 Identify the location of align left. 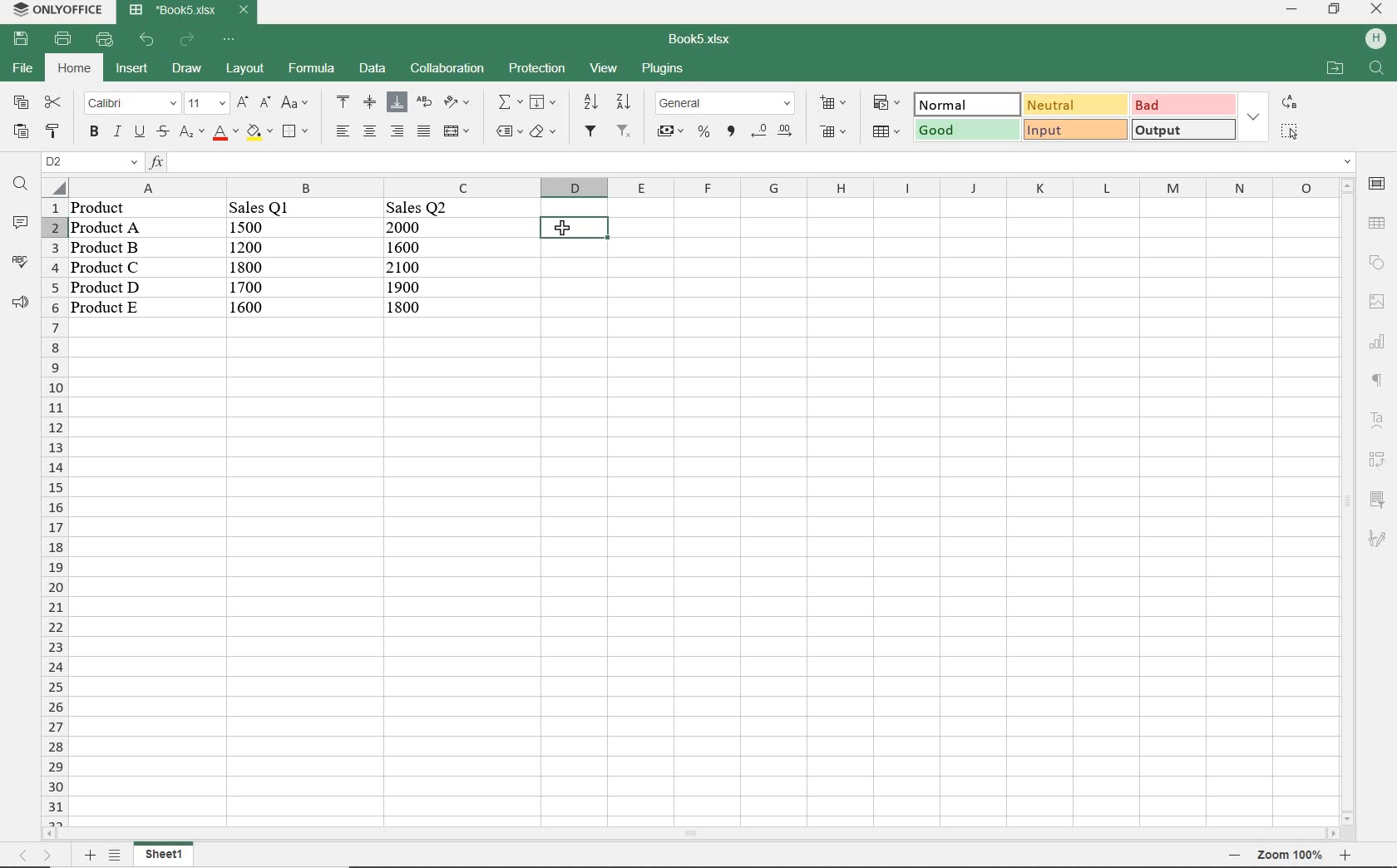
(397, 131).